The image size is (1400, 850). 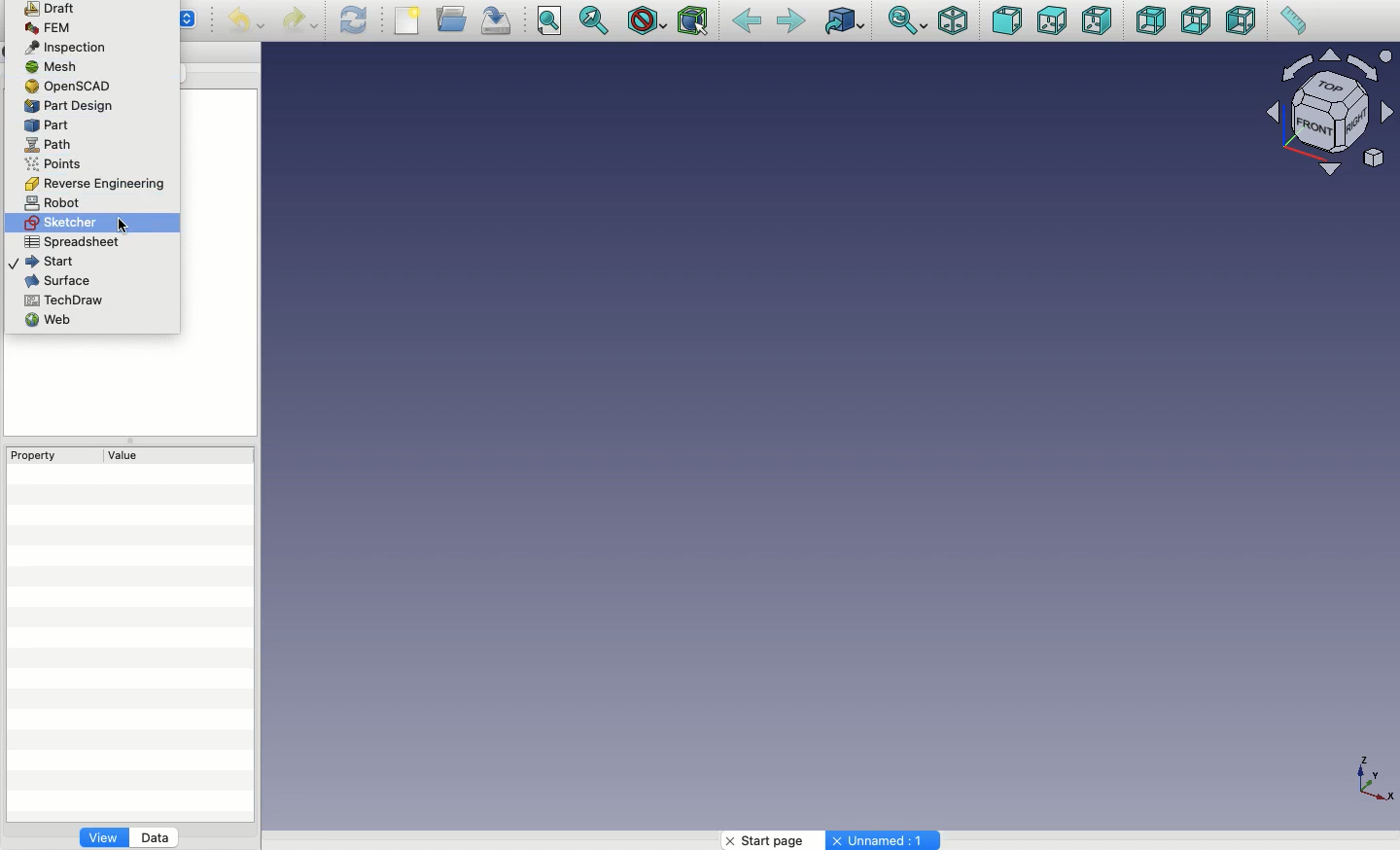 I want to click on Sketcher, so click(x=70, y=223).